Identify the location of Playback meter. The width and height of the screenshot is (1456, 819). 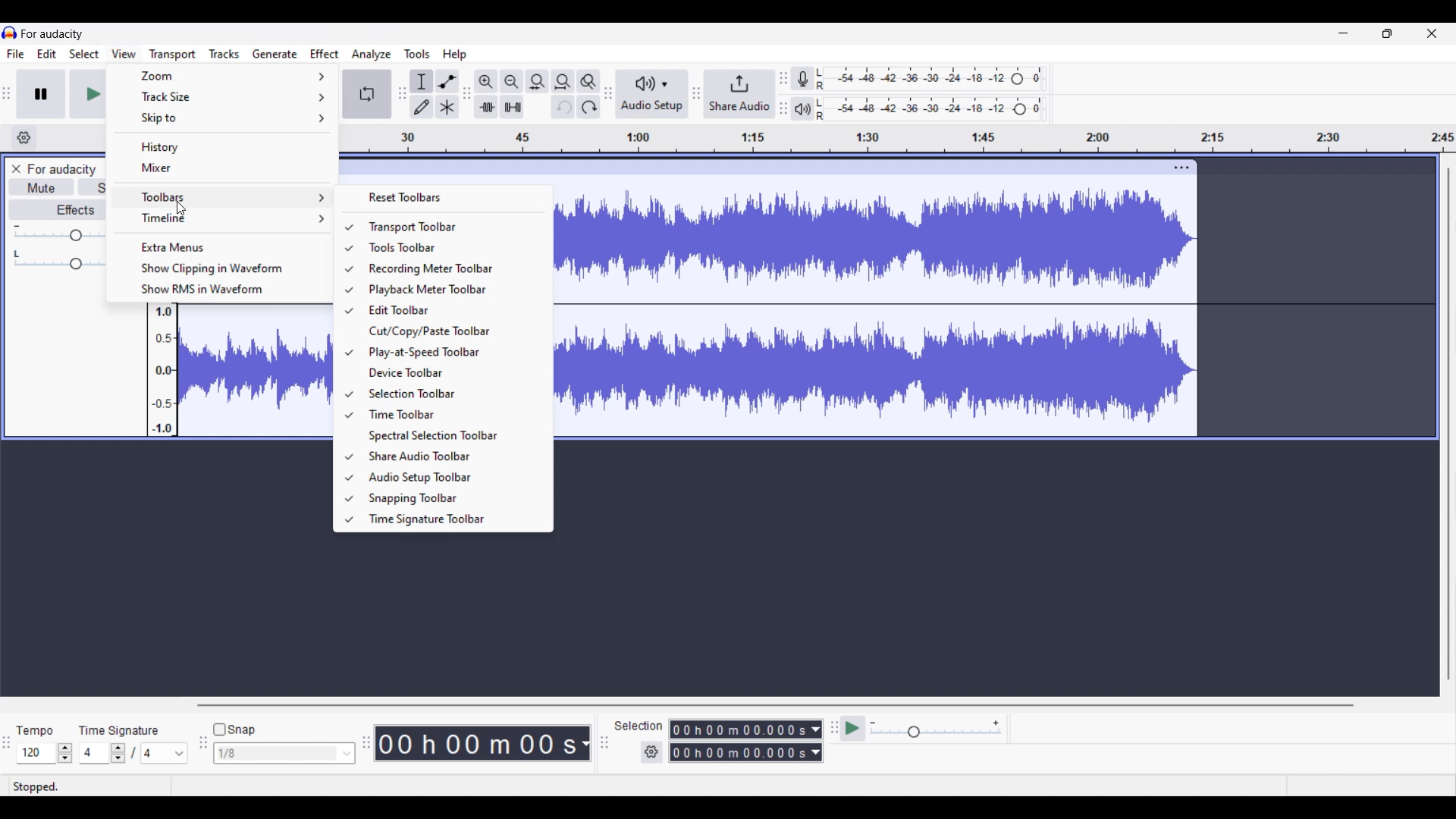
(803, 108).